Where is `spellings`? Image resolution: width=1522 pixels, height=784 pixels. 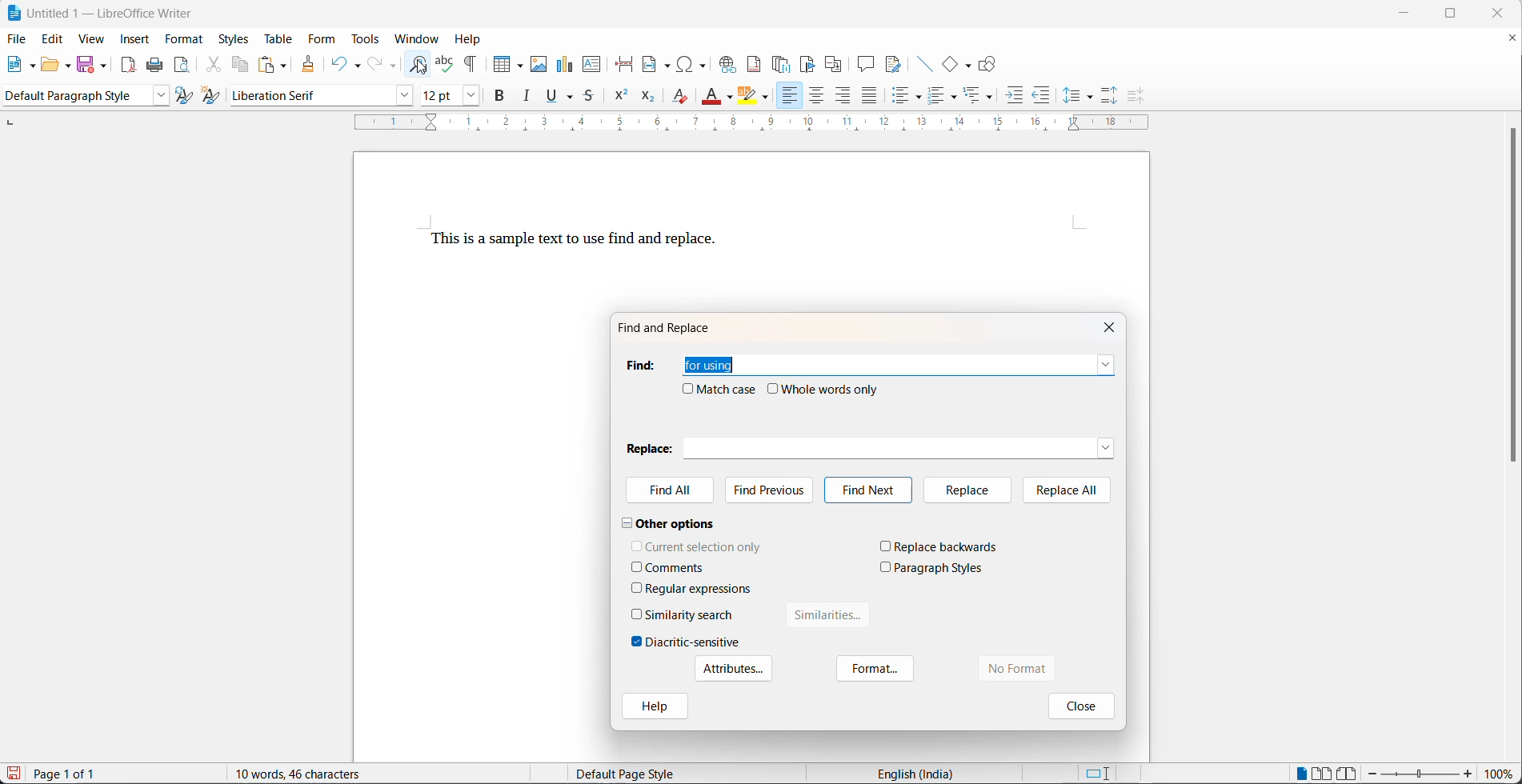
spellings is located at coordinates (445, 59).